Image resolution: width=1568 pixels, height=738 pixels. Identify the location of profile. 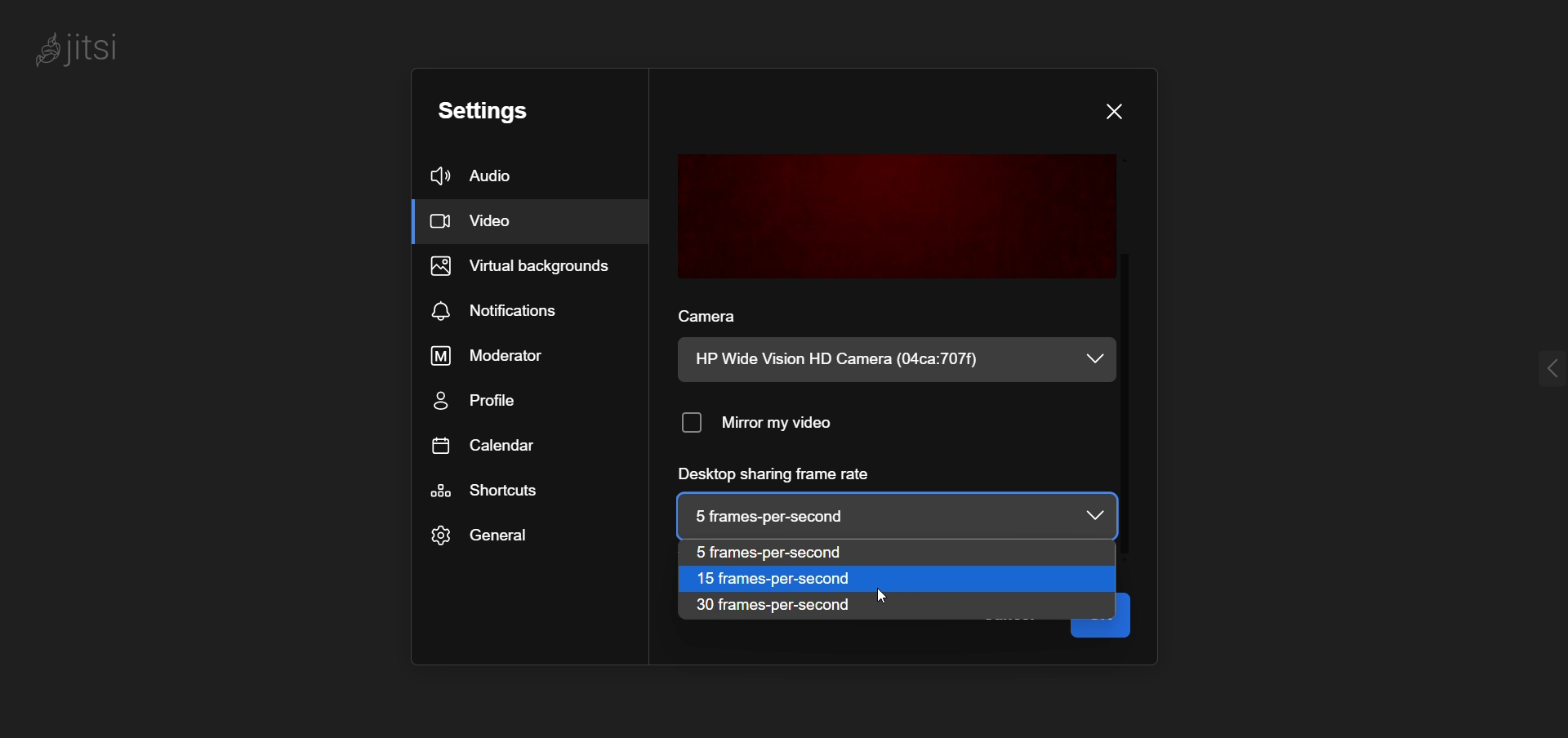
(487, 400).